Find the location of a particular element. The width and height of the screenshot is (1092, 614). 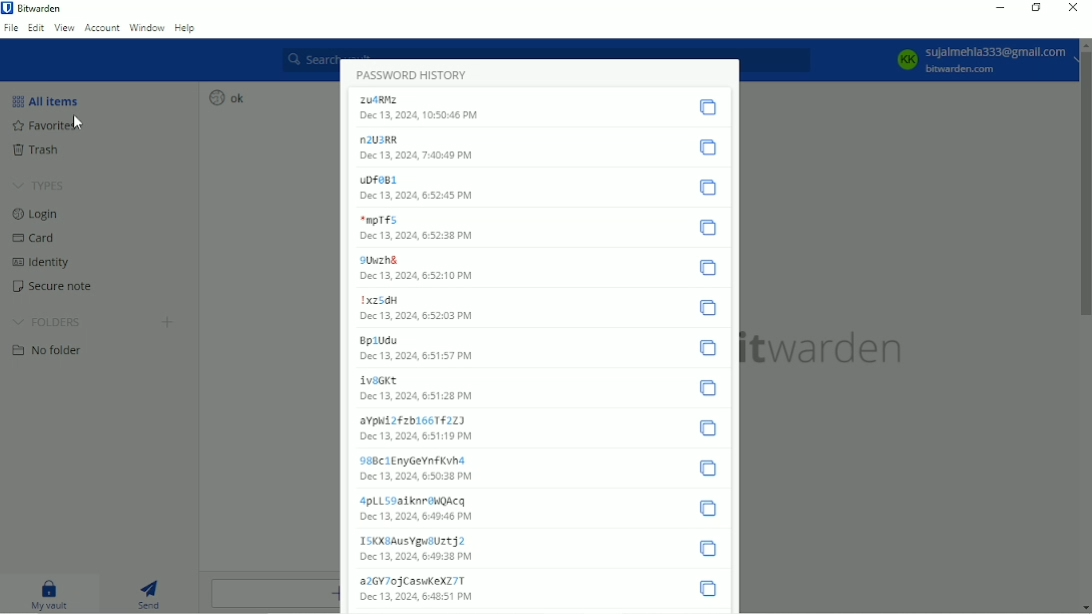

Edit is located at coordinates (36, 28).